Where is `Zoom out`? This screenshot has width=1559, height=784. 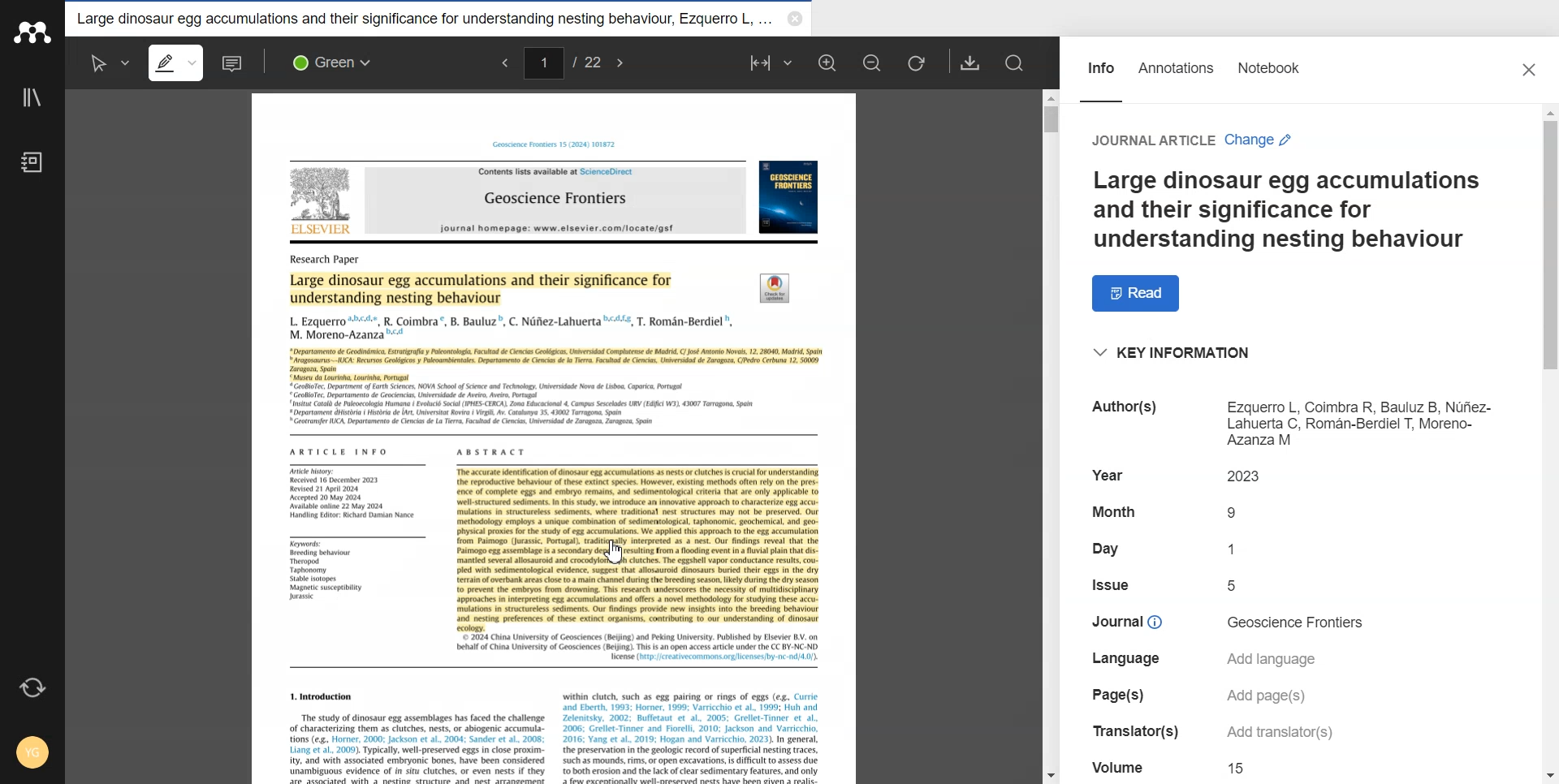 Zoom out is located at coordinates (873, 62).